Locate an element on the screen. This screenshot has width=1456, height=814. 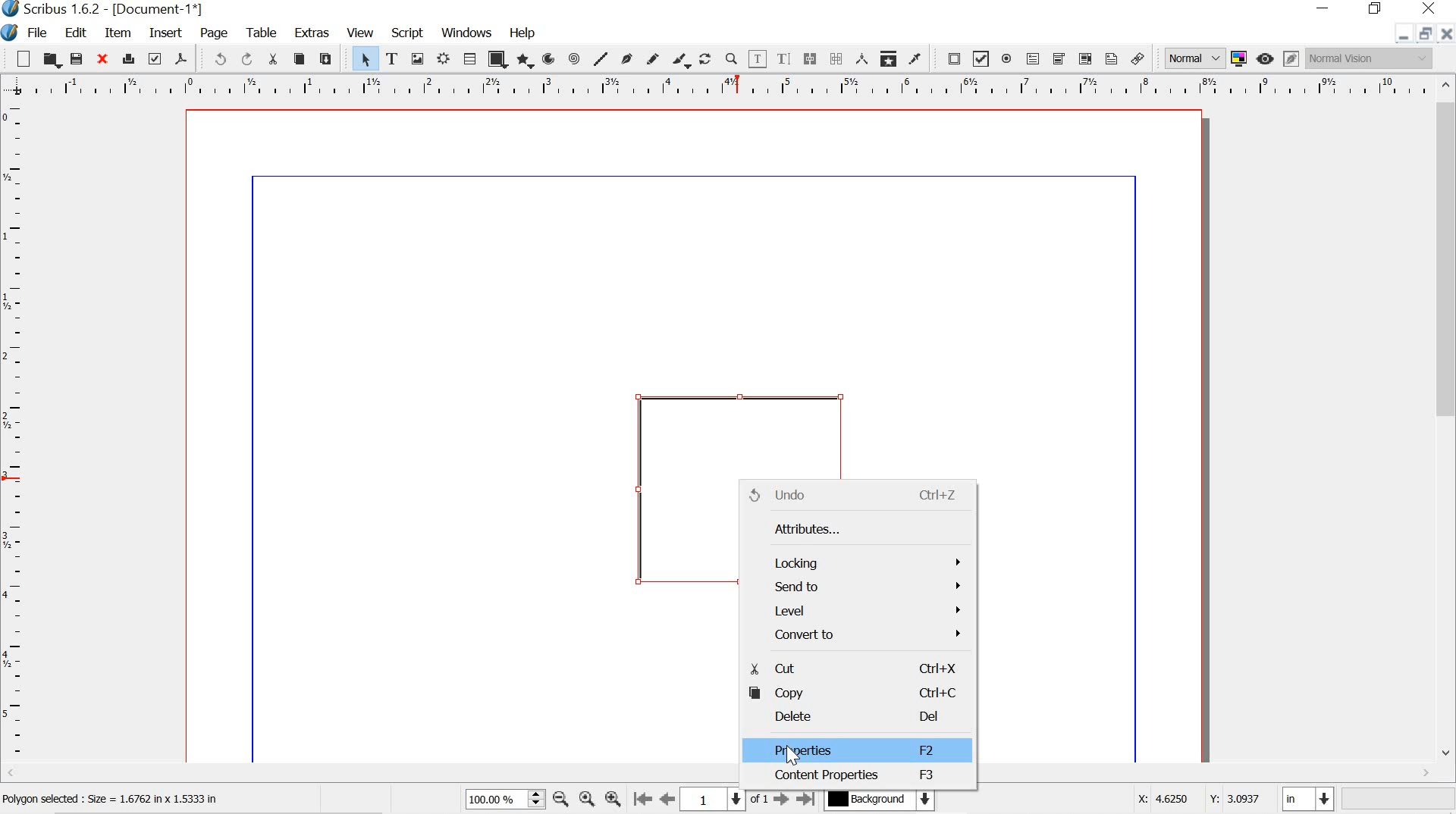
copy is located at coordinates (854, 693).